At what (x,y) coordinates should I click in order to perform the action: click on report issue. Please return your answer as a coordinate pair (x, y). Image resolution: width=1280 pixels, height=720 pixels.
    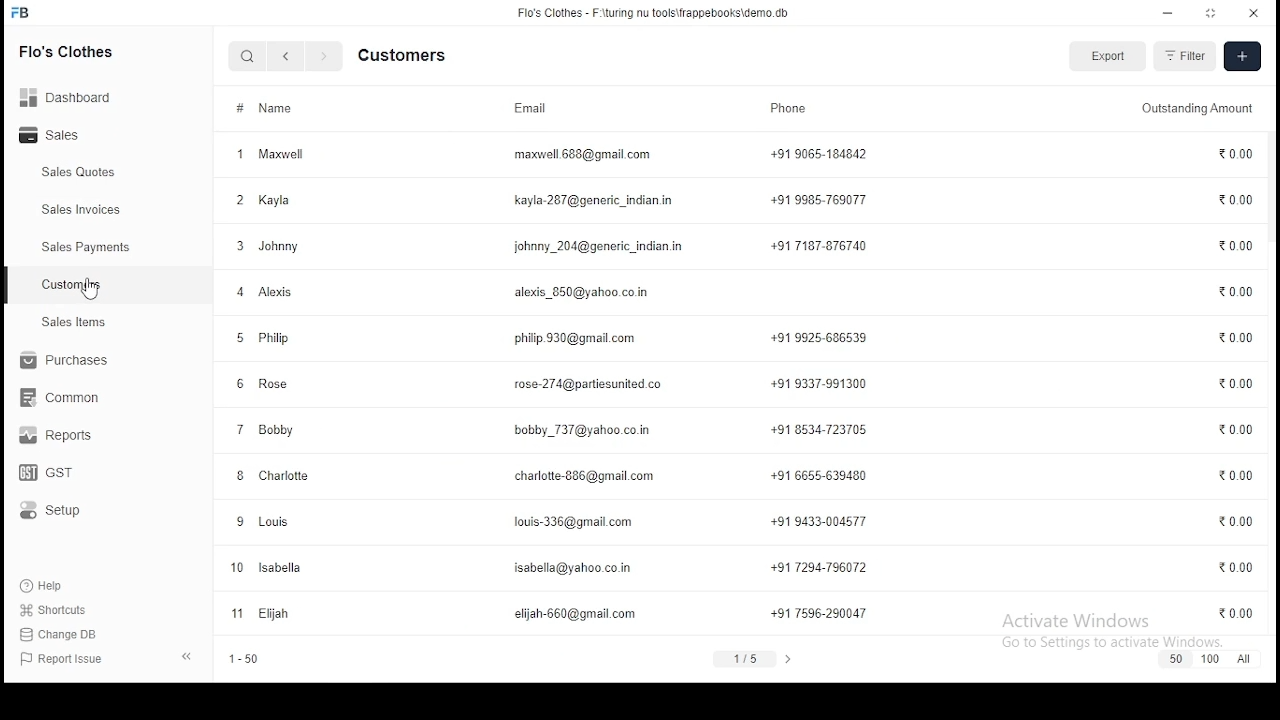
    Looking at the image, I should click on (59, 660).